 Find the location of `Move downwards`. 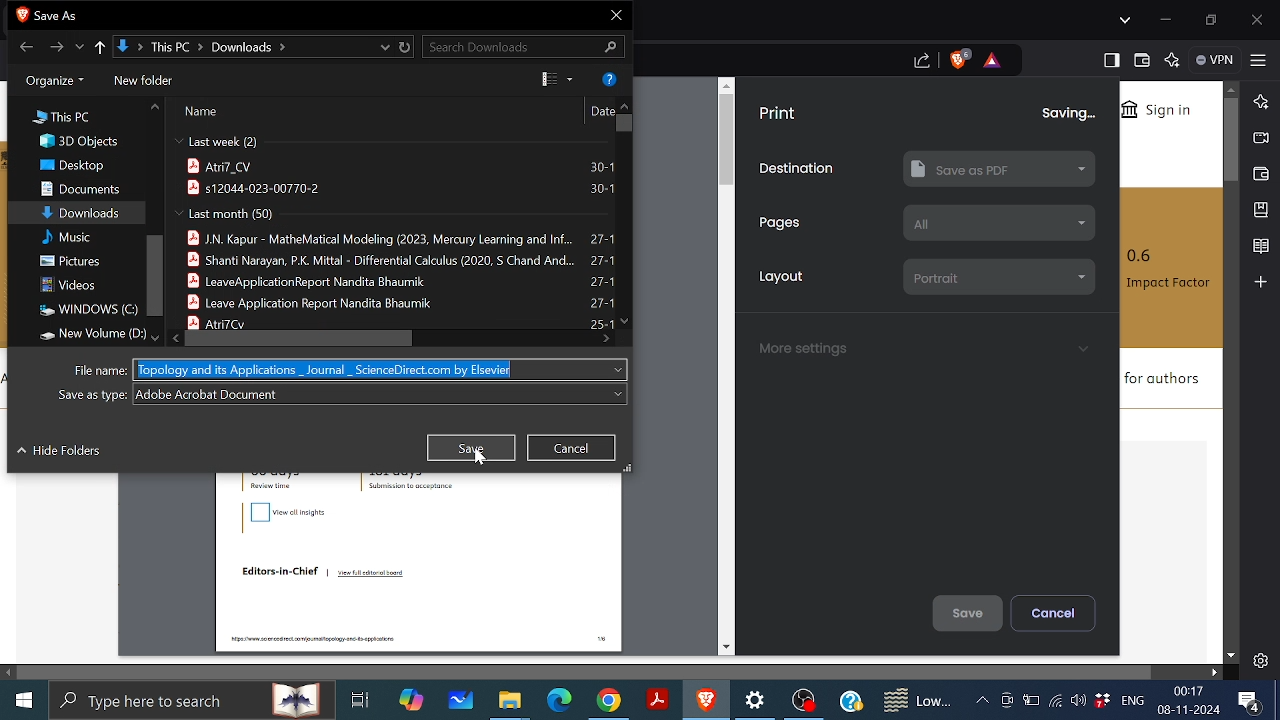

Move downwards is located at coordinates (1230, 657).